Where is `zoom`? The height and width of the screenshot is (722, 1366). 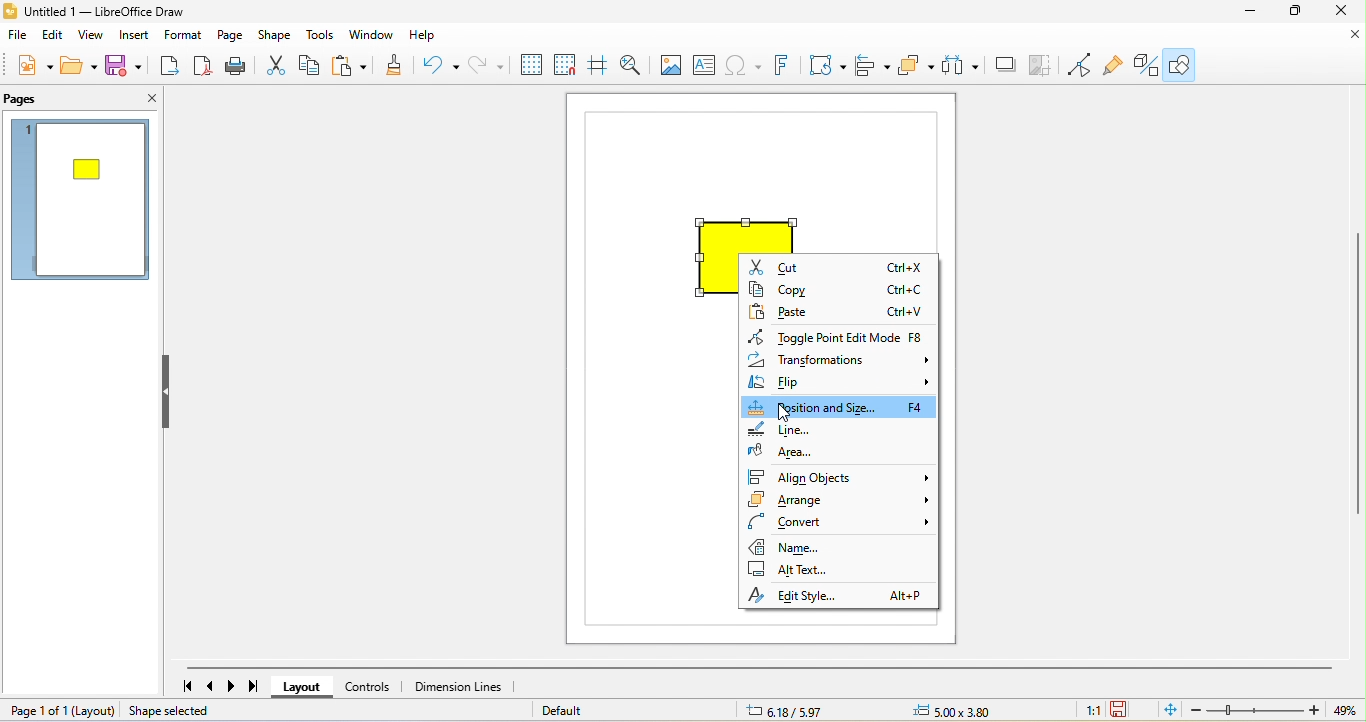 zoom is located at coordinates (1278, 710).